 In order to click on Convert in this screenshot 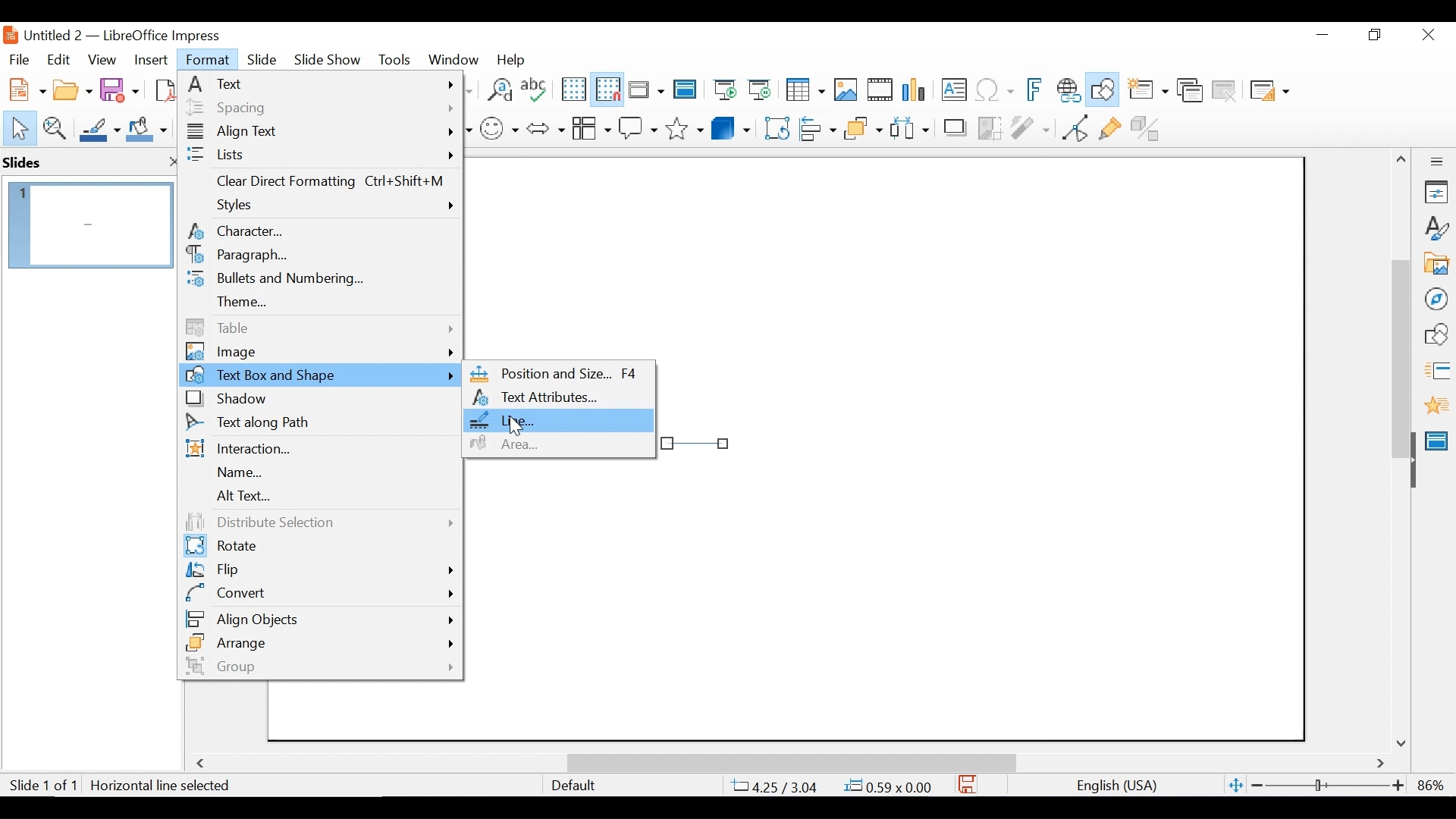, I will do `click(319, 593)`.